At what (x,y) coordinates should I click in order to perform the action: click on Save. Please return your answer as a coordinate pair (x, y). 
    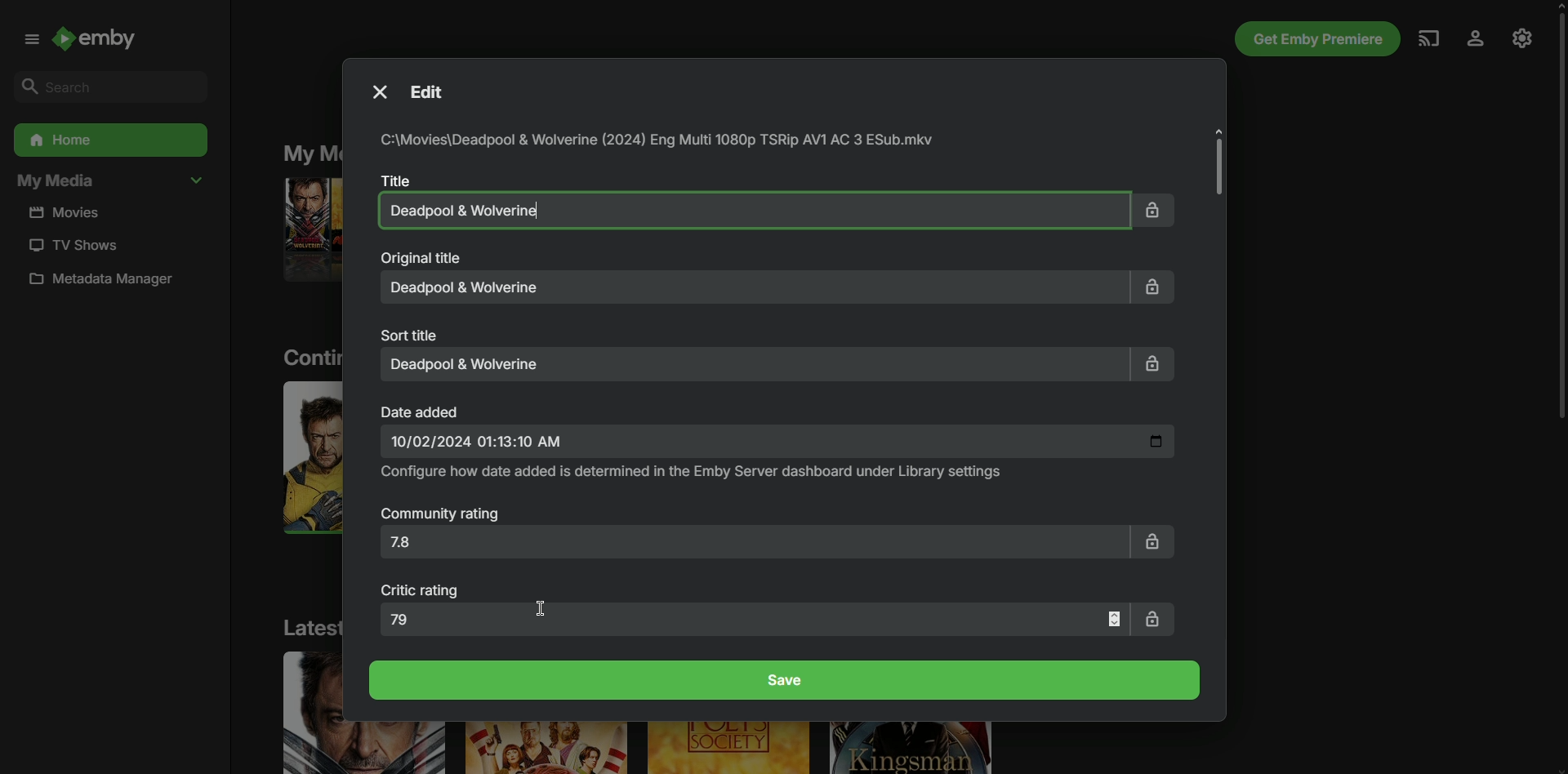
    Looking at the image, I should click on (786, 680).